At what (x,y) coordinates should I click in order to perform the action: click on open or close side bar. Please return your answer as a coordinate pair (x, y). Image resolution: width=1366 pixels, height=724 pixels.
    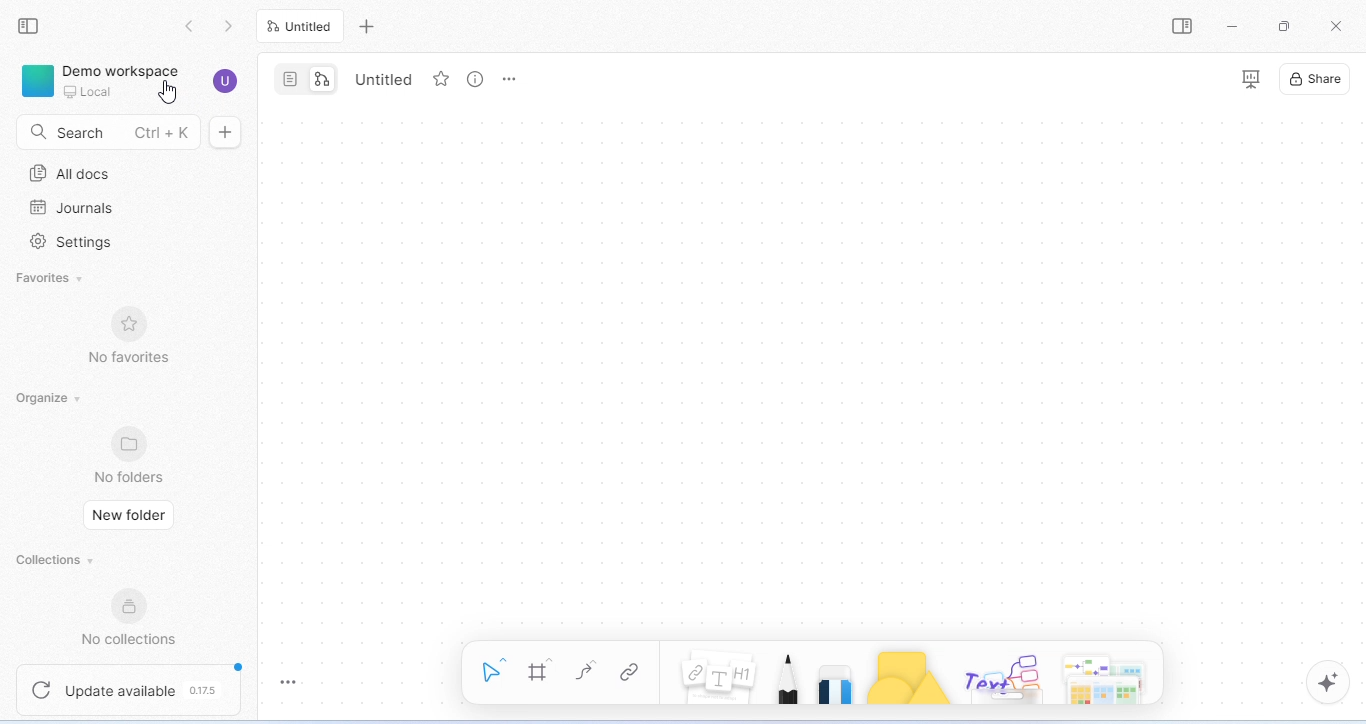
    Looking at the image, I should click on (1182, 26).